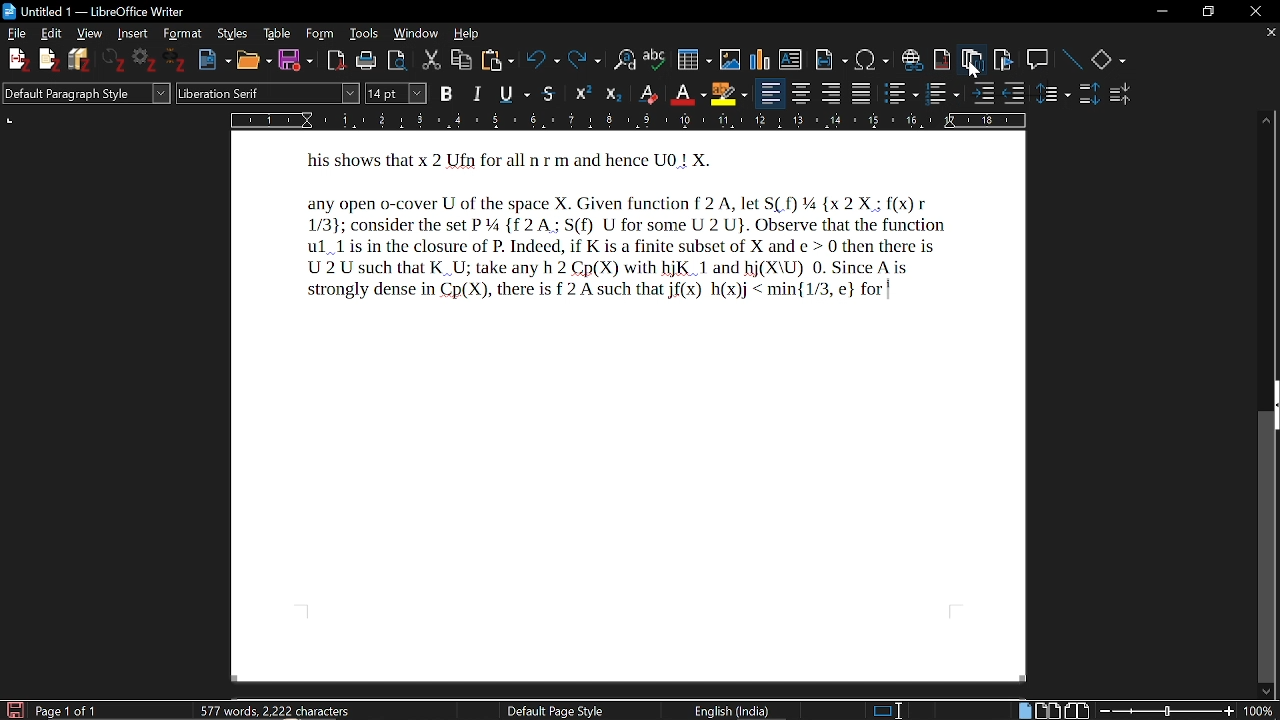 The width and height of the screenshot is (1280, 720). Describe the element at coordinates (1005, 64) in the screenshot. I see `Insert bookmark` at that location.